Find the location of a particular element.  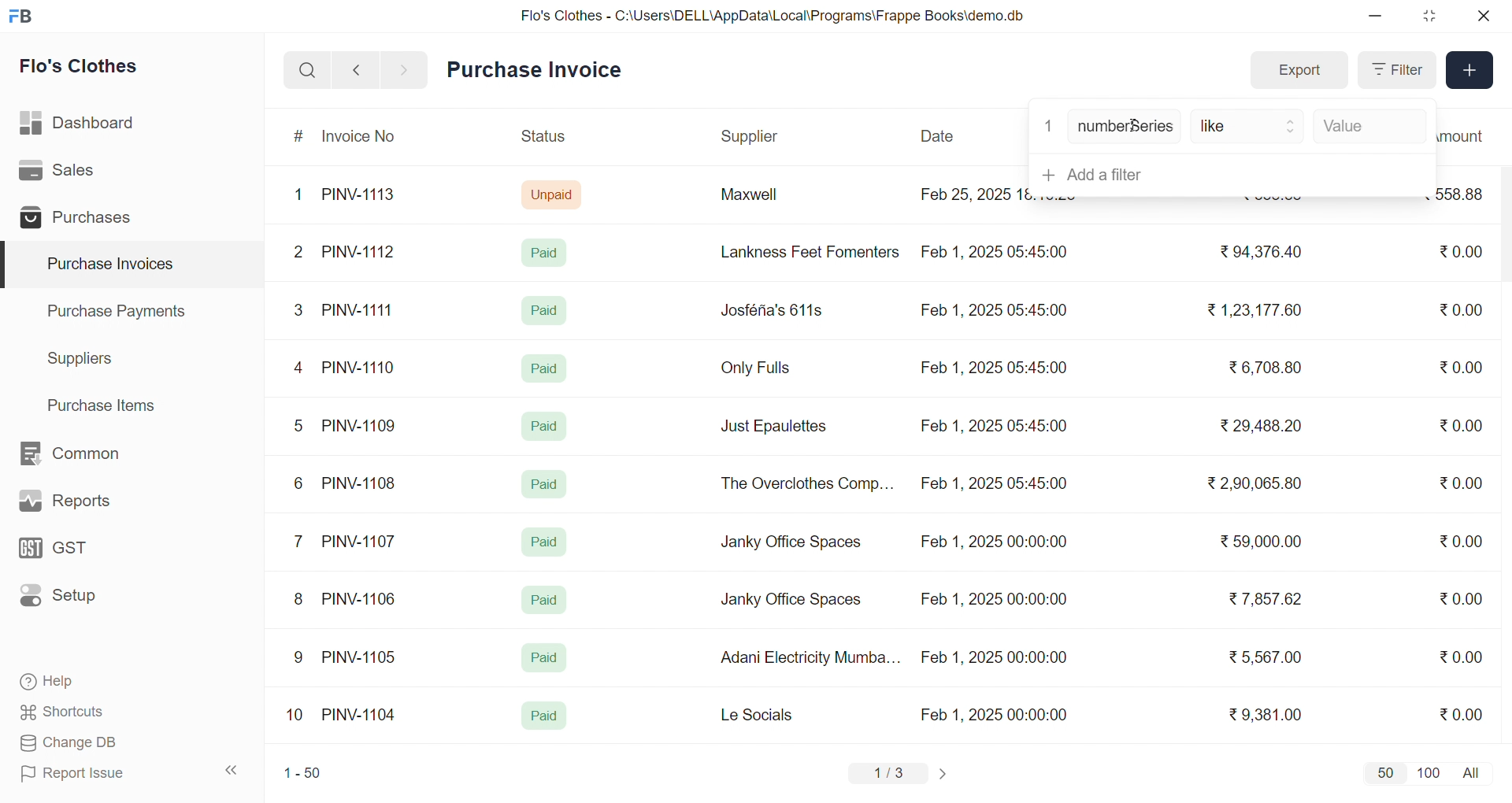

Flo's Clothes - C:\Users\DELL\AppData\Local\Programs\Frappe Books\demo.db is located at coordinates (773, 16).